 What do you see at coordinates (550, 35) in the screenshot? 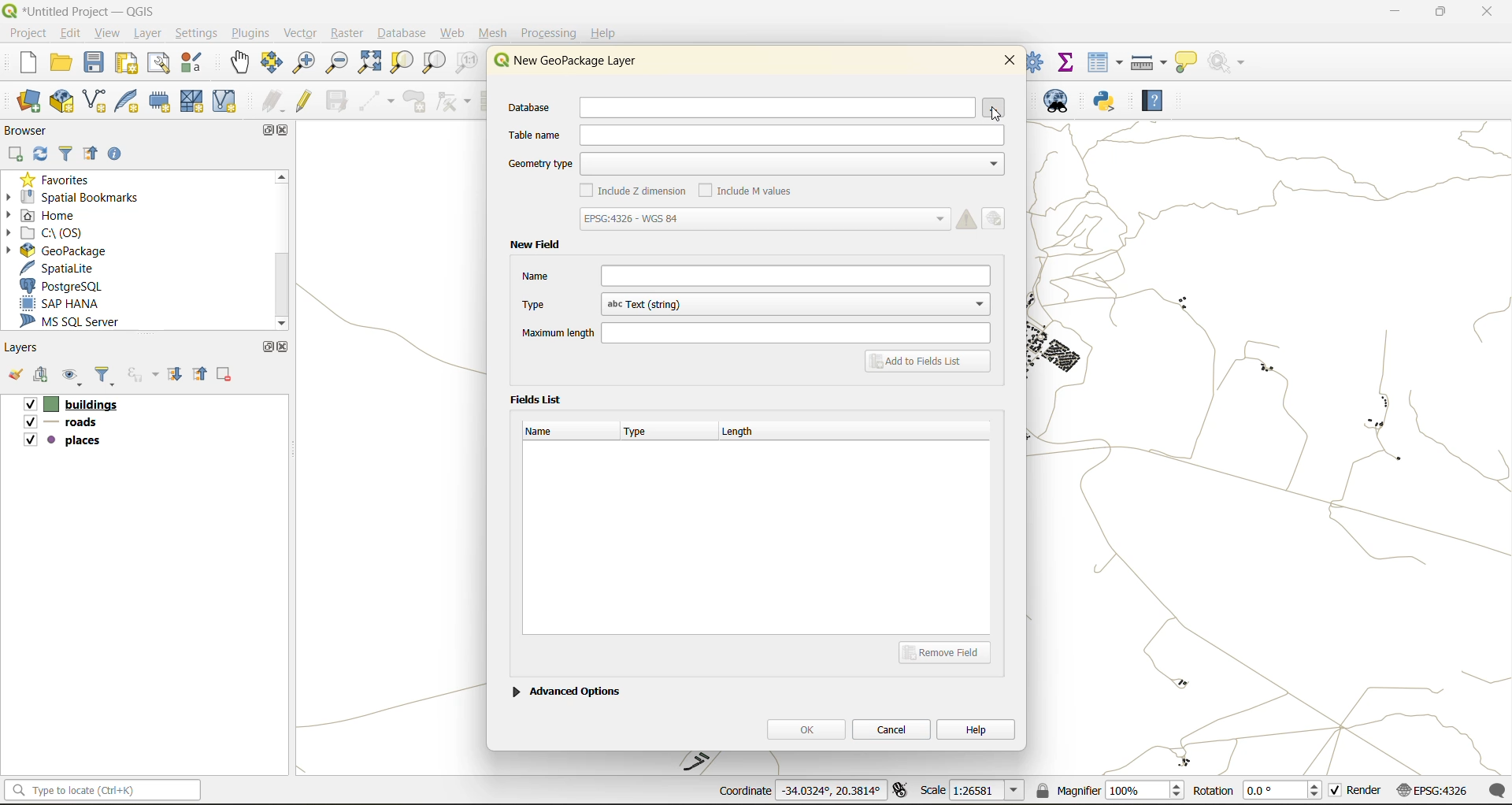
I see `processing` at bounding box center [550, 35].